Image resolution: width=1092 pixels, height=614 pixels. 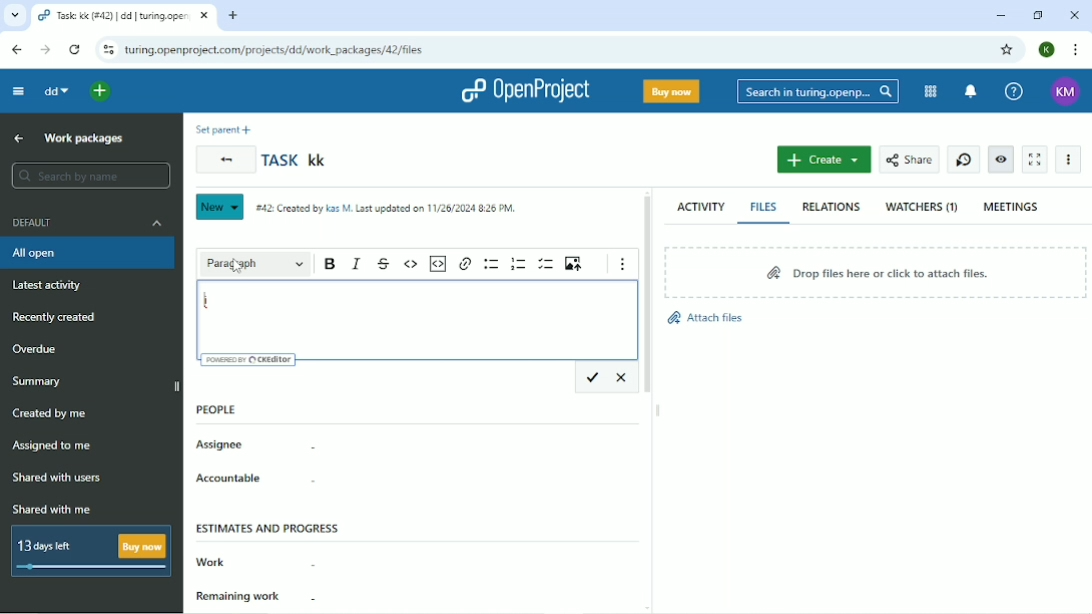 What do you see at coordinates (57, 478) in the screenshot?
I see `Shared with users` at bounding box center [57, 478].